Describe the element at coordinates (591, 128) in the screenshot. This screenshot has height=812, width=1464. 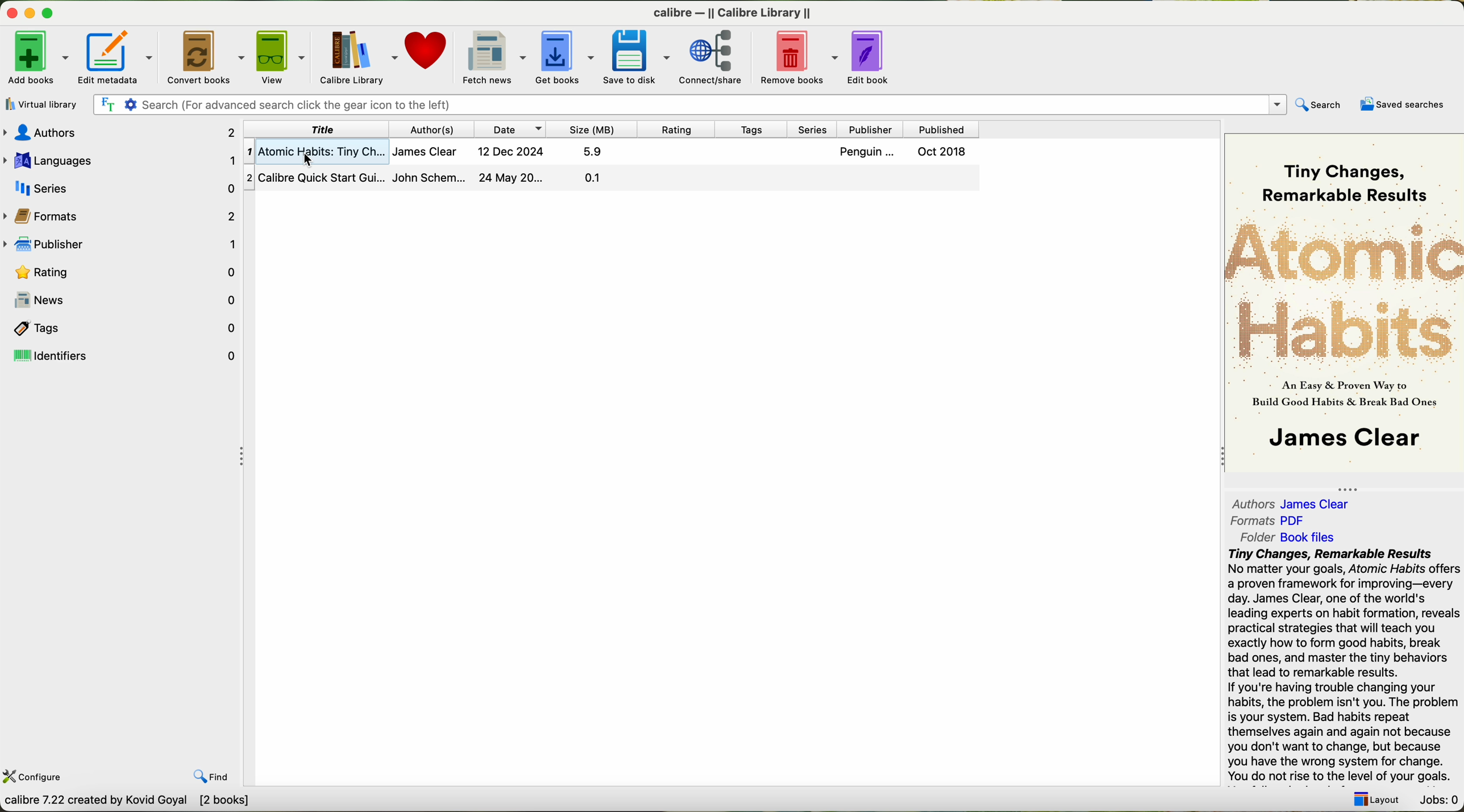
I see `size` at that location.